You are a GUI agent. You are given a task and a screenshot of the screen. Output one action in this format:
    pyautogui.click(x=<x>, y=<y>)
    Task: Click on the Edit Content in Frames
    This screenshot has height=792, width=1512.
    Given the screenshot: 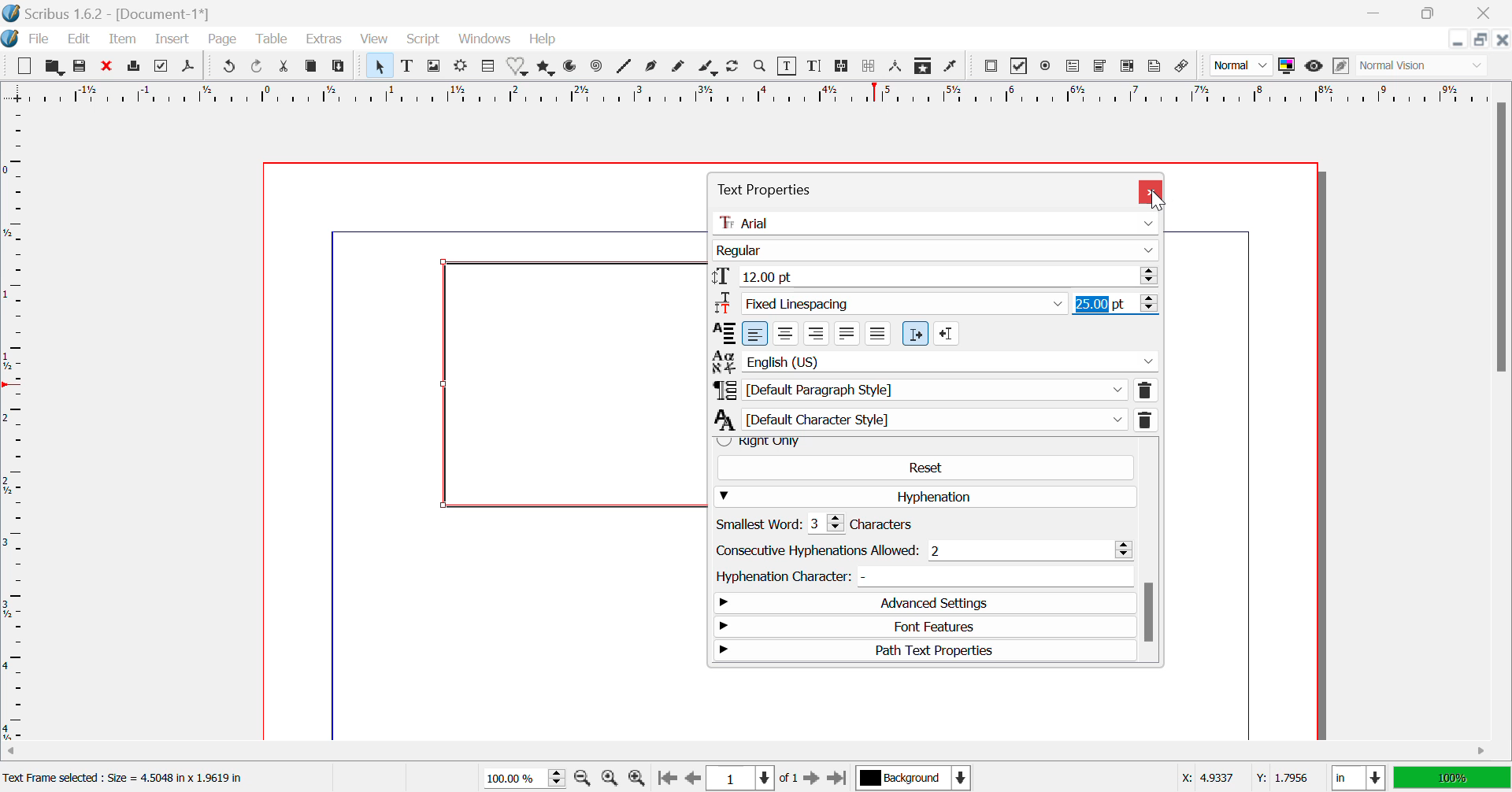 What is the action you would take?
    pyautogui.click(x=790, y=66)
    